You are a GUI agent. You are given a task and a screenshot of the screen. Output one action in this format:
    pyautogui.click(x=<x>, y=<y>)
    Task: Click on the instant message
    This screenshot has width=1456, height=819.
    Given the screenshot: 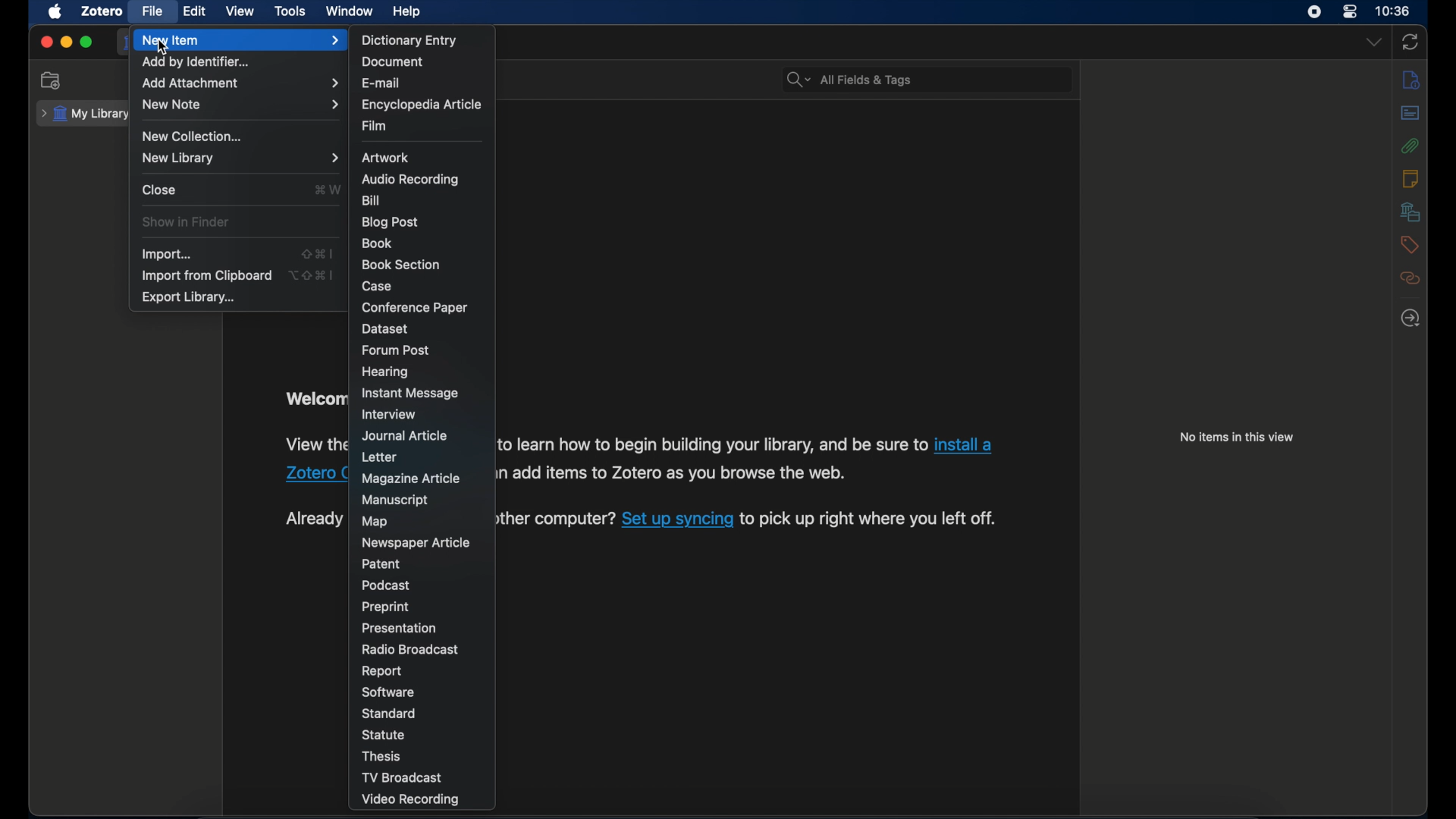 What is the action you would take?
    pyautogui.click(x=410, y=393)
    